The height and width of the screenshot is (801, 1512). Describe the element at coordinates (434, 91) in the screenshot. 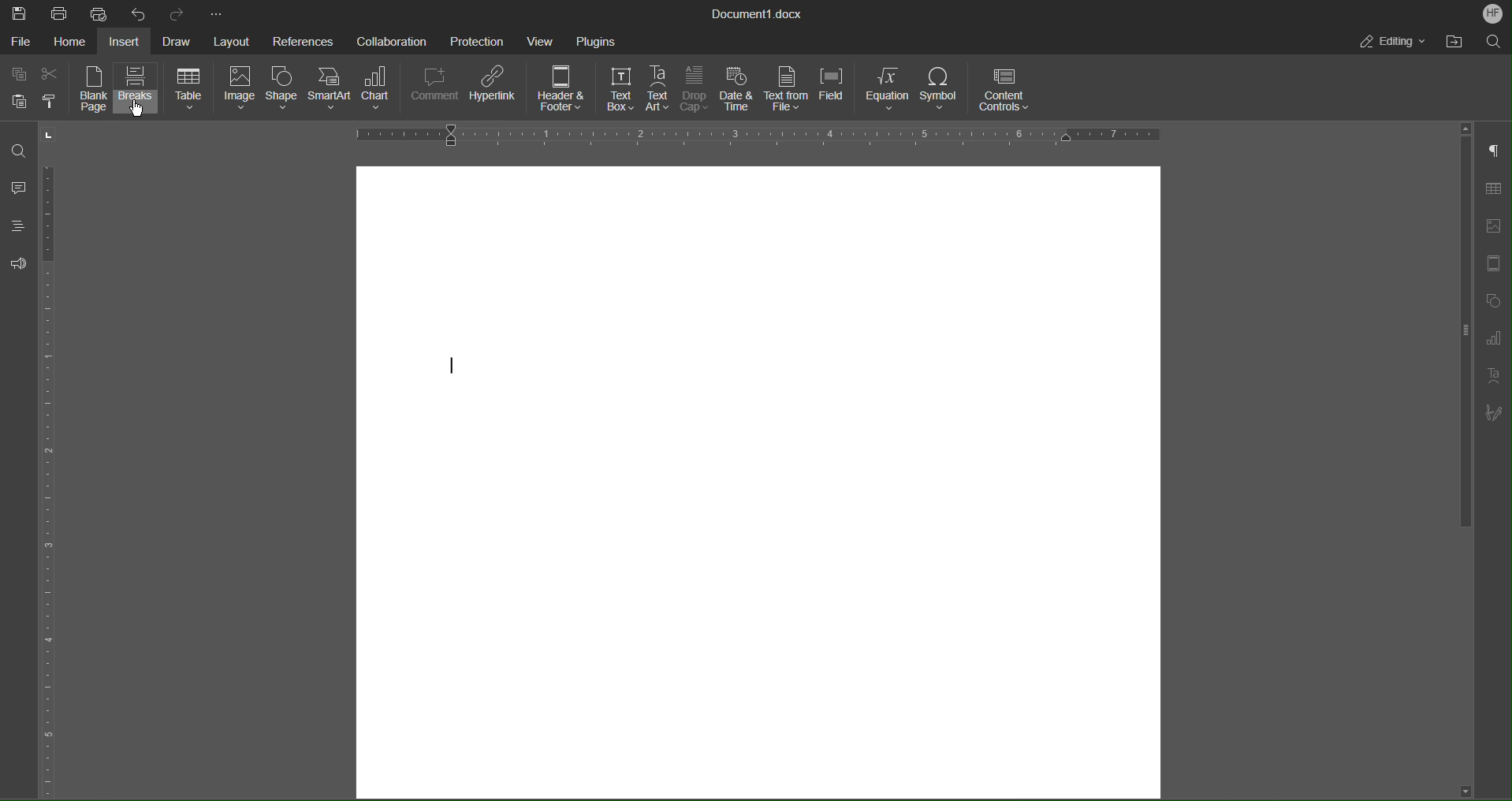

I see `Comment` at that location.